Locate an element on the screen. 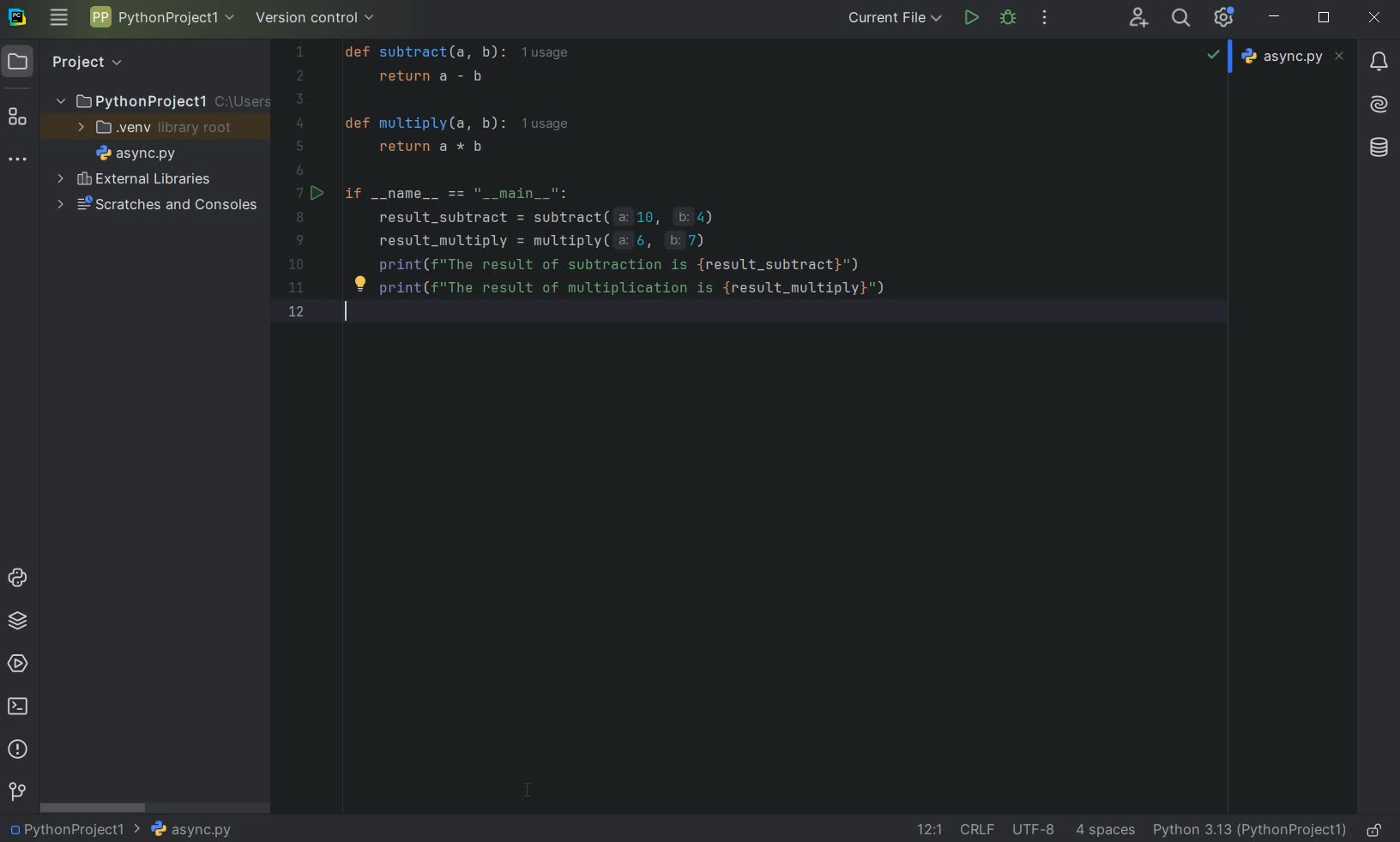  database is located at coordinates (1377, 147).